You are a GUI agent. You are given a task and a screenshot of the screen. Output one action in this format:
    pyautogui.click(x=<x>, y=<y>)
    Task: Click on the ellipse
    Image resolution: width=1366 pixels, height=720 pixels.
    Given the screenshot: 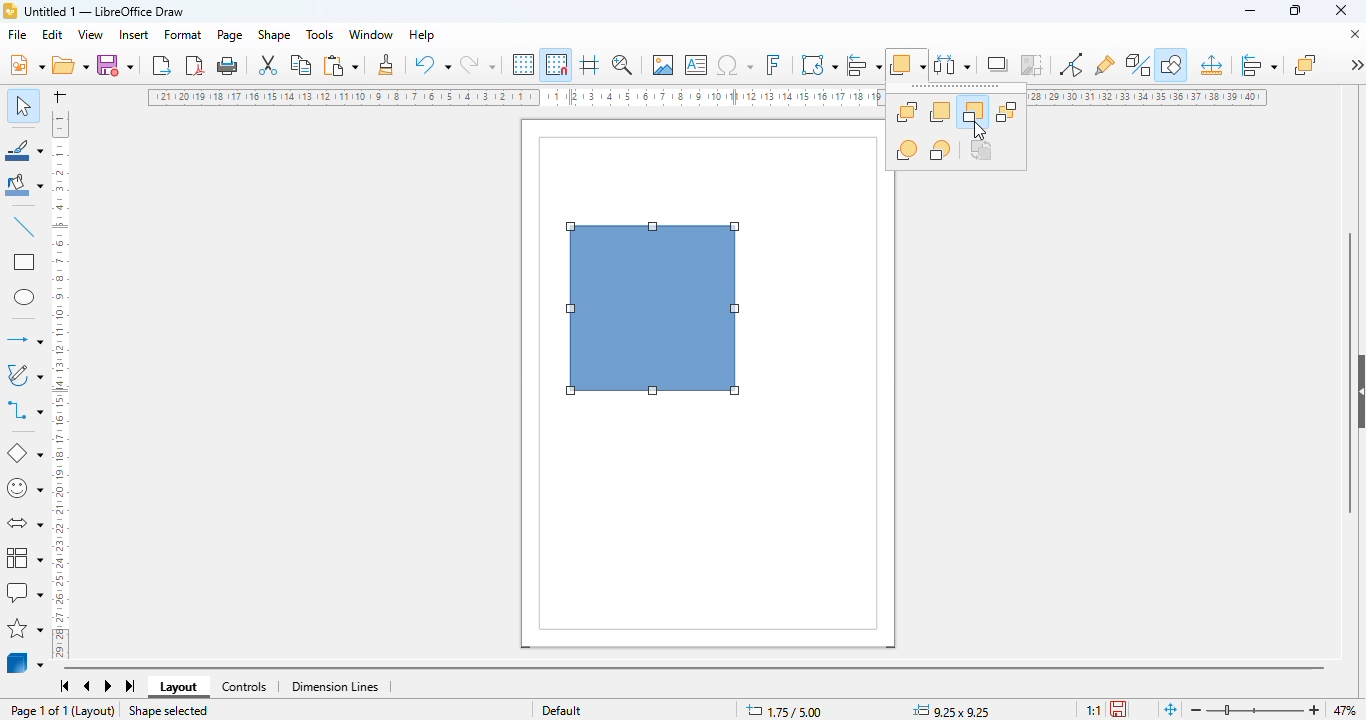 What is the action you would take?
    pyautogui.click(x=24, y=298)
    